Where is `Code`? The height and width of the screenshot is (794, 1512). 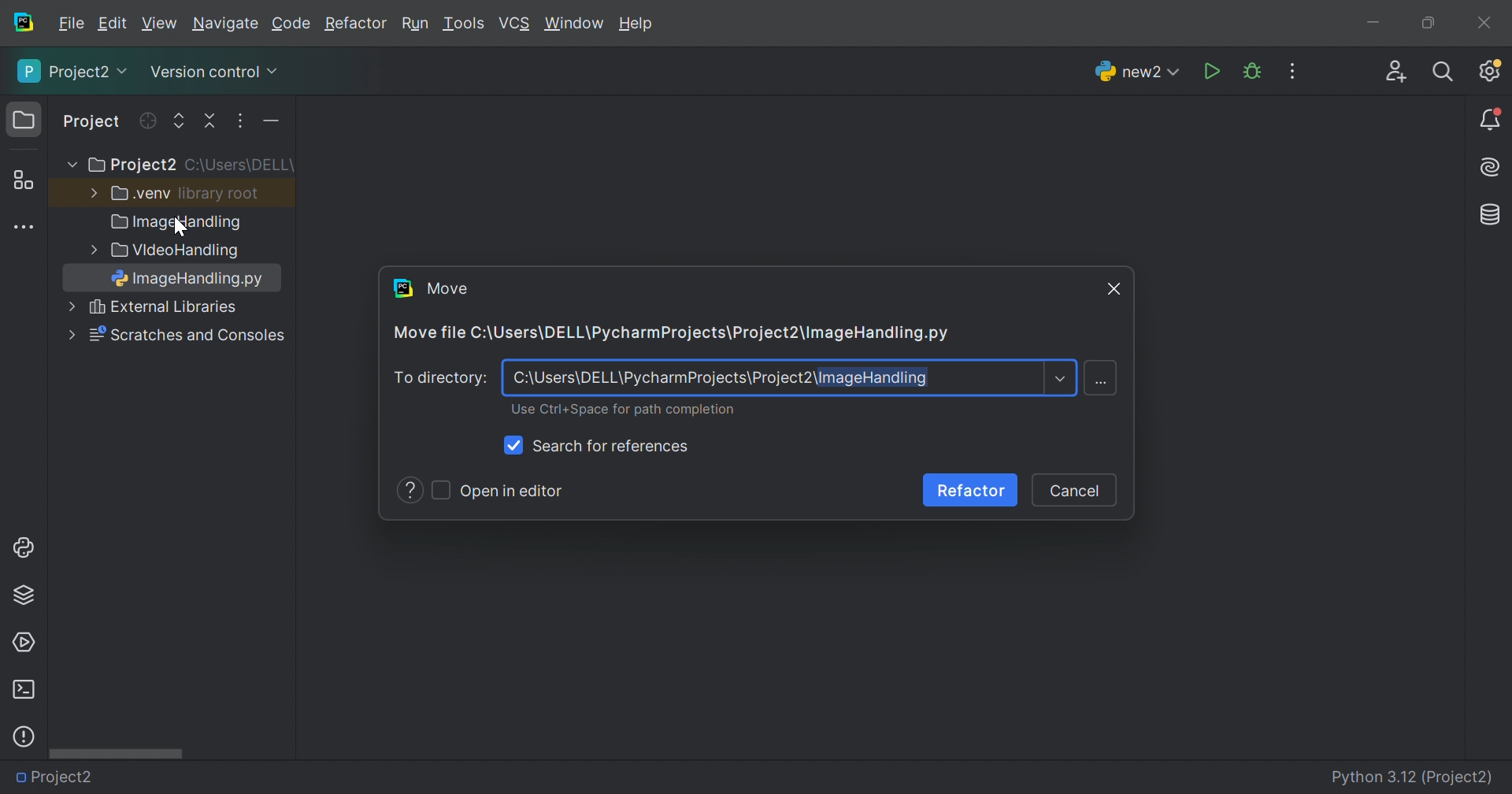
Code is located at coordinates (294, 24).